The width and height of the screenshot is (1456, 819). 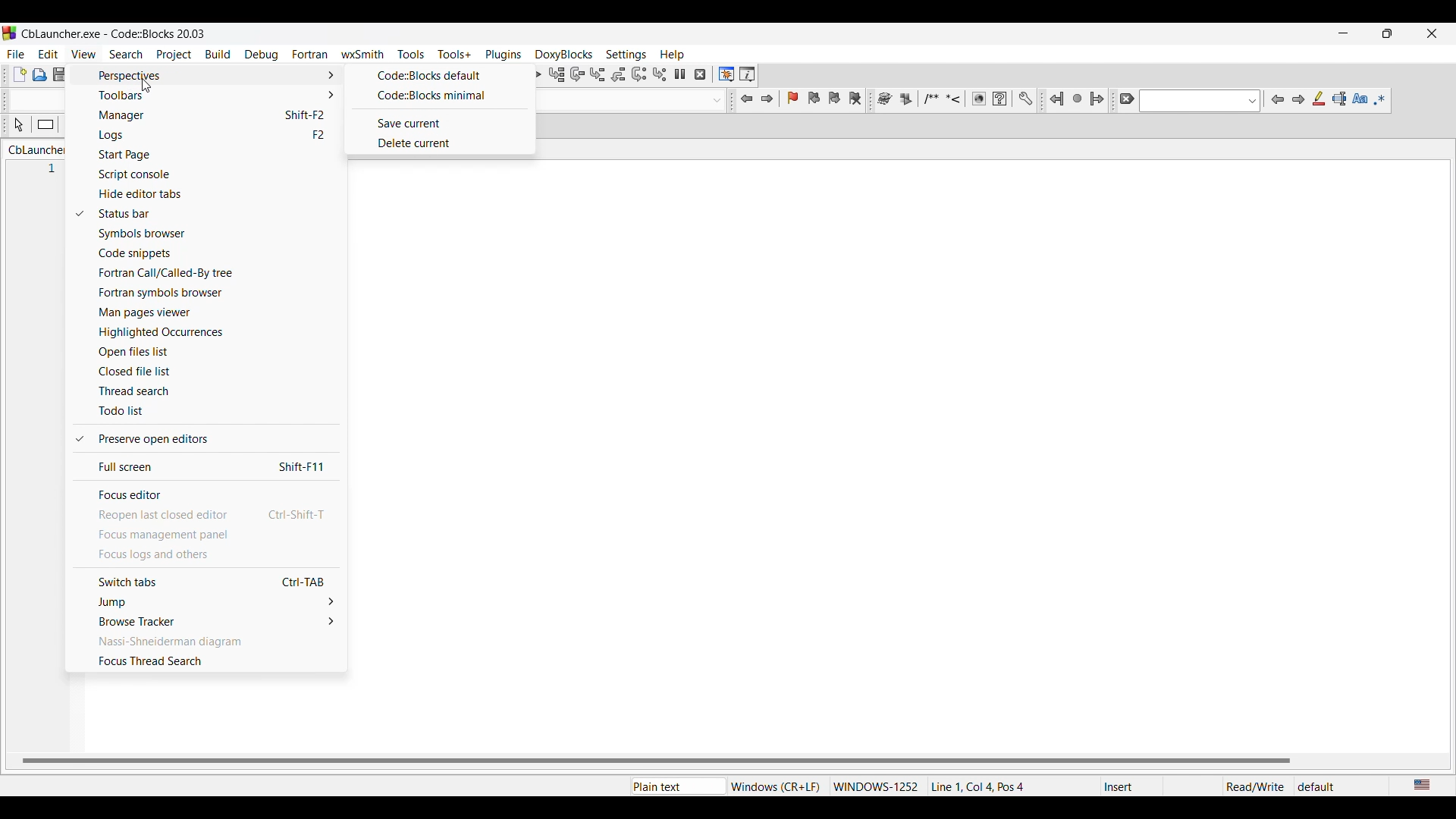 I want to click on Code::Blocks default, so click(x=442, y=76).